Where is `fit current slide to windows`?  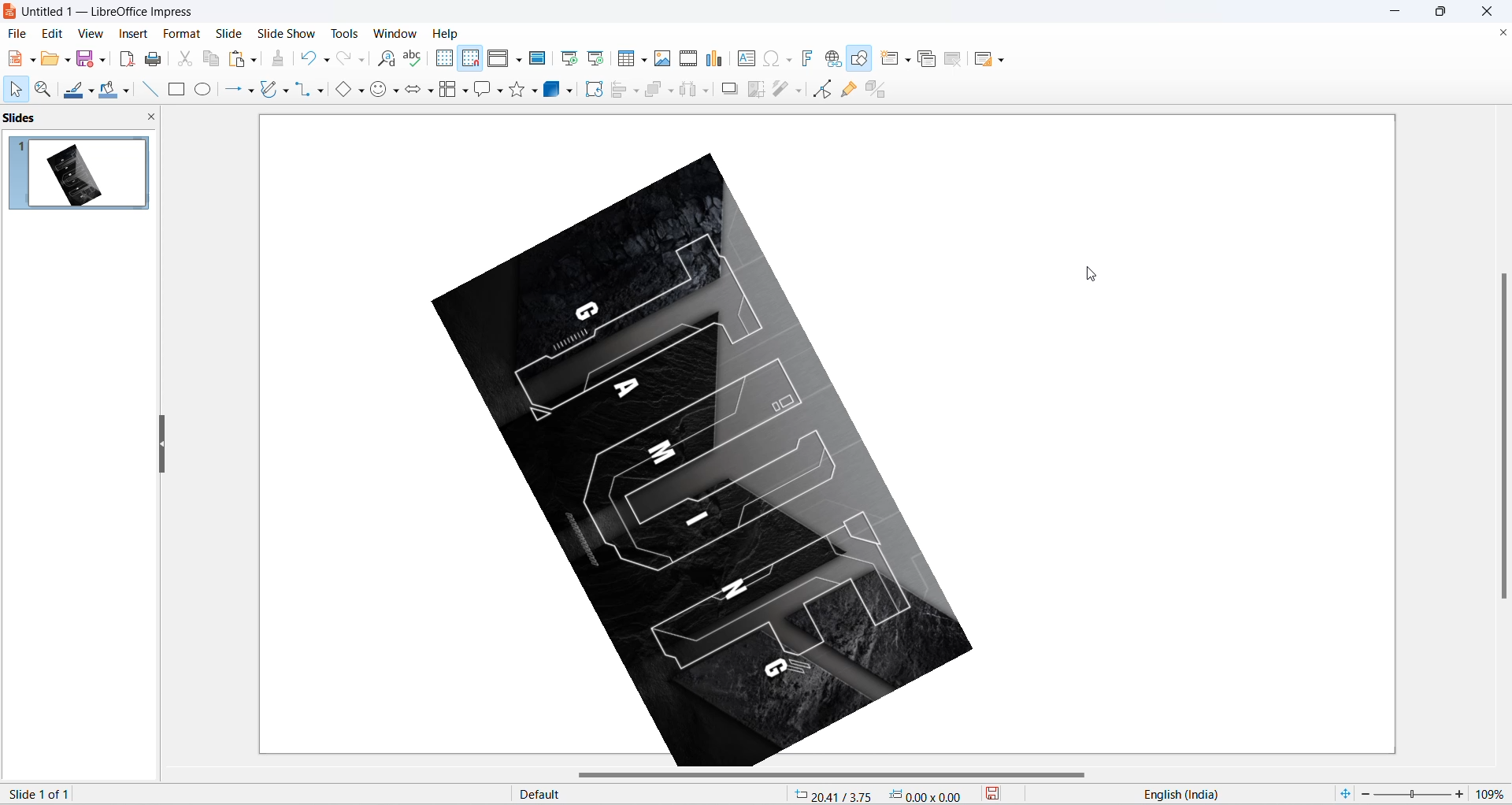 fit current slide to windows is located at coordinates (1343, 793).